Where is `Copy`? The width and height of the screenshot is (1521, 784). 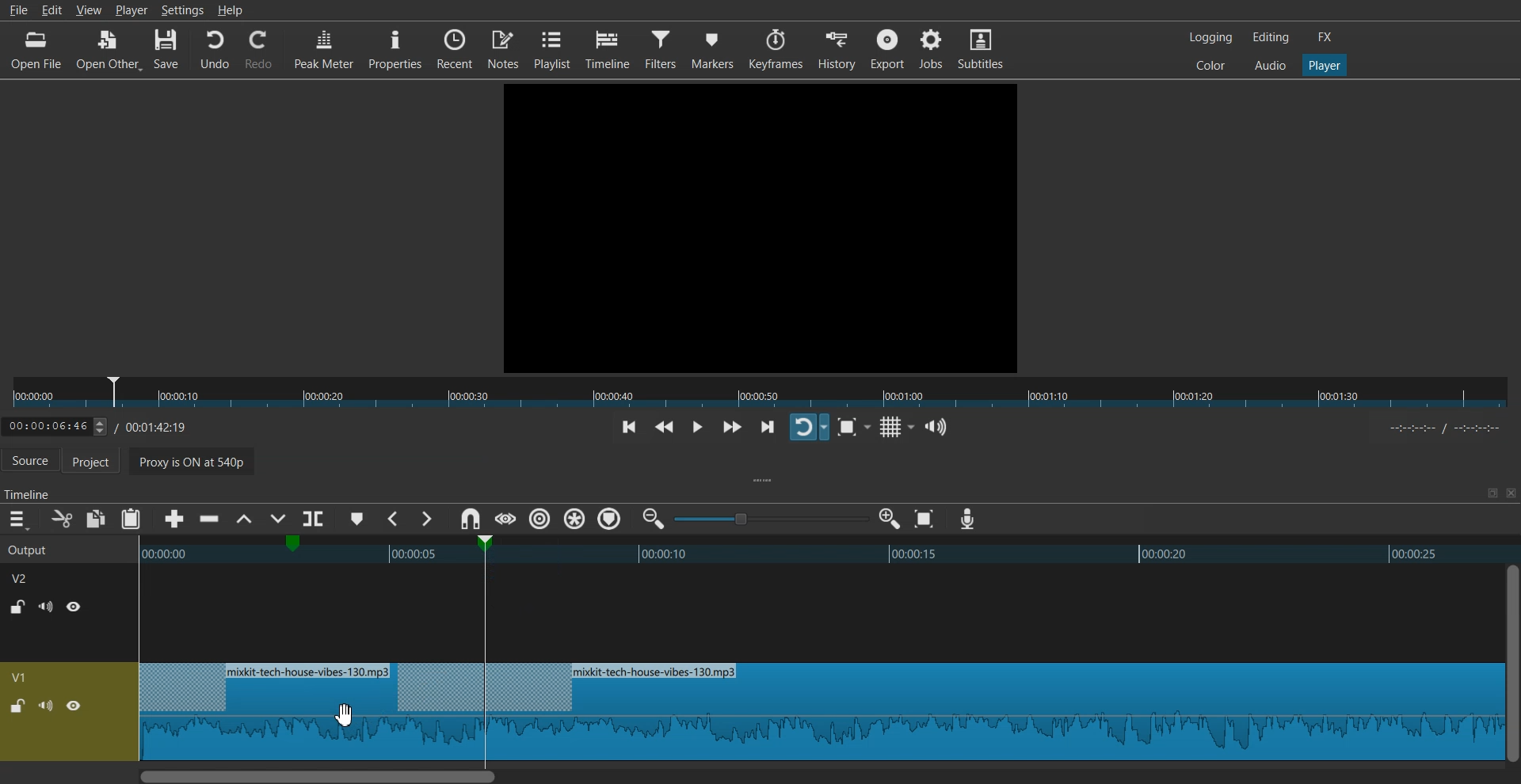 Copy is located at coordinates (97, 519).